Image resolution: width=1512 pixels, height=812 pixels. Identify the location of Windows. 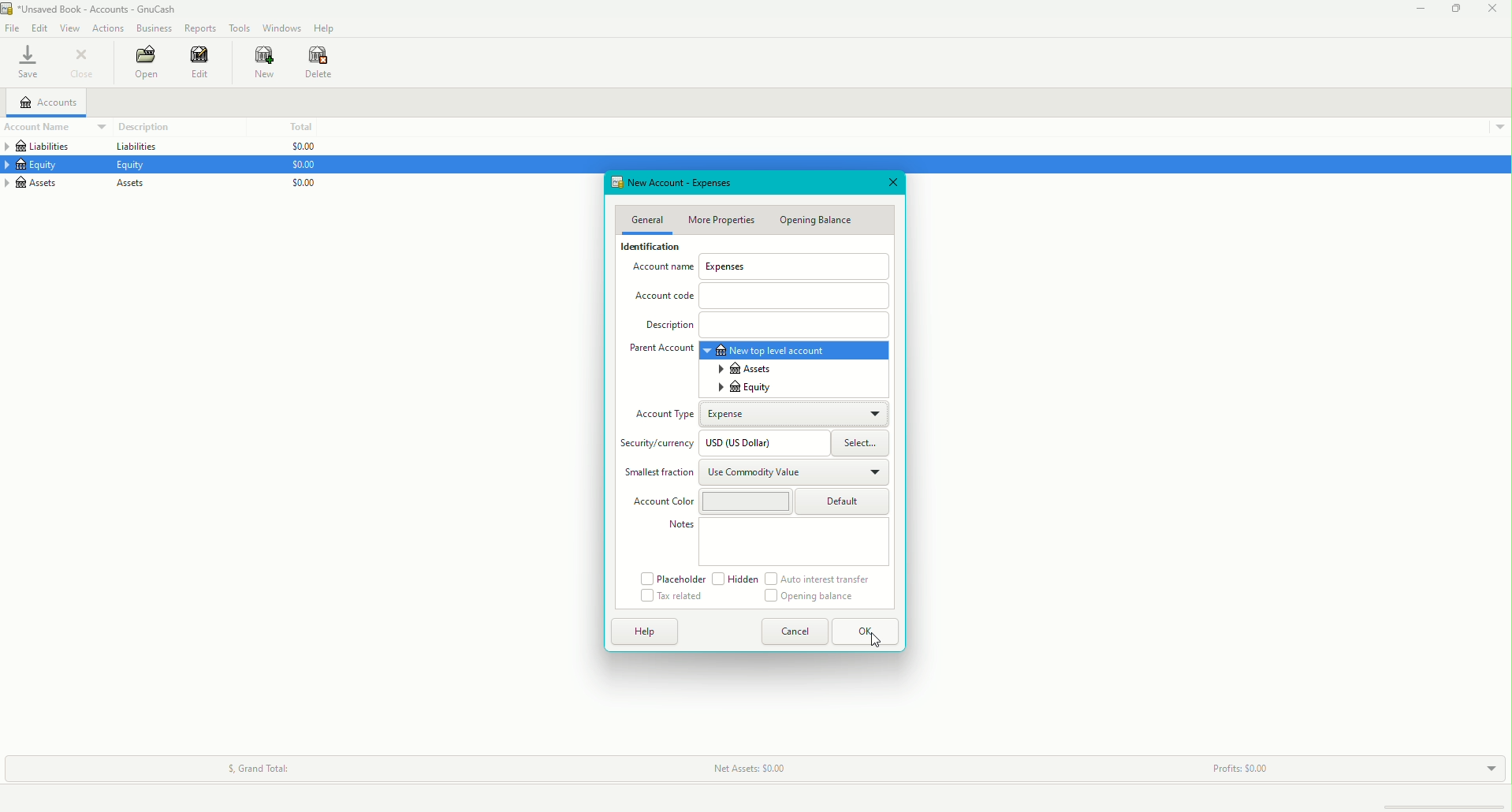
(281, 28).